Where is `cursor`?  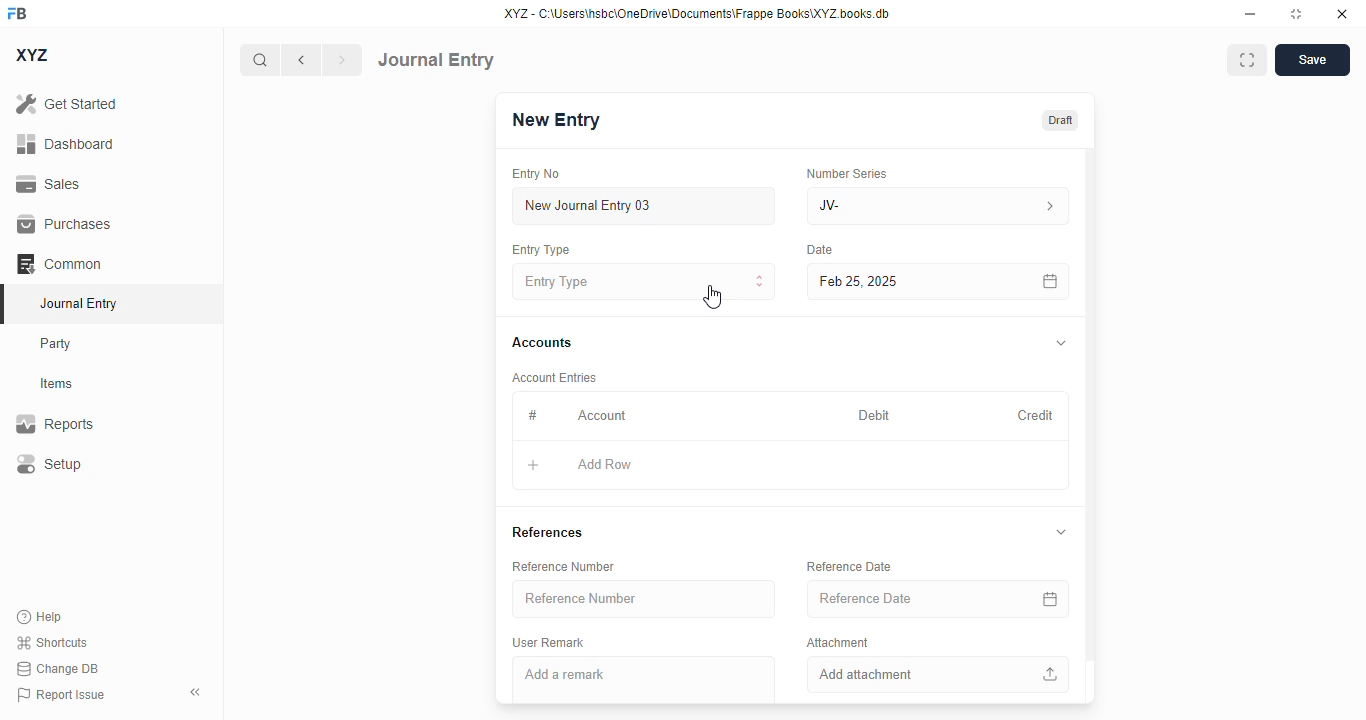
cursor is located at coordinates (711, 297).